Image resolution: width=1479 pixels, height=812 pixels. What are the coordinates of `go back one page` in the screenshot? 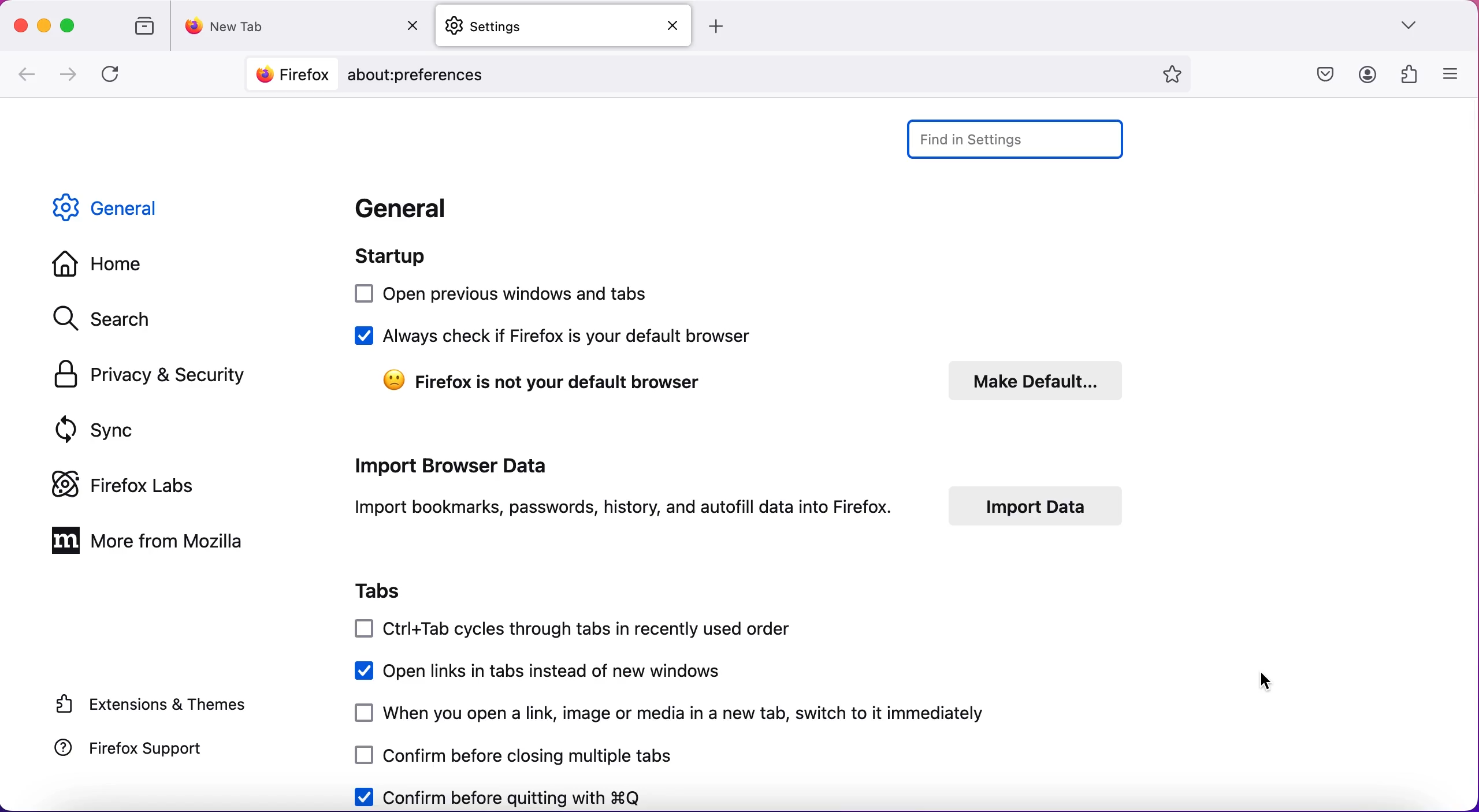 It's located at (29, 74).